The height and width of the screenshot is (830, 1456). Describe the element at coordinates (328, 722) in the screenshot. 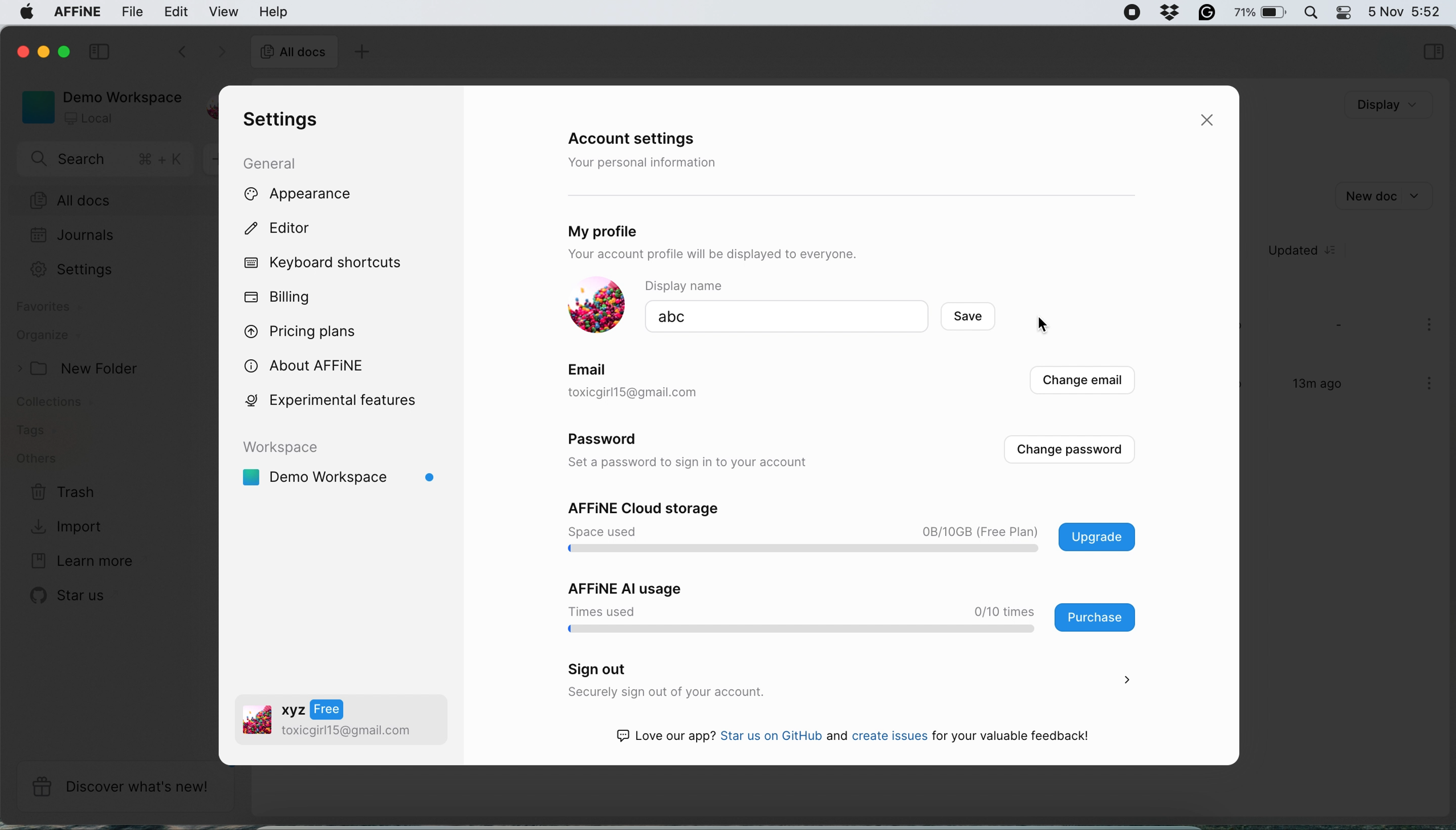

I see `oa v2
toxicgirll5@gmail.com` at that location.